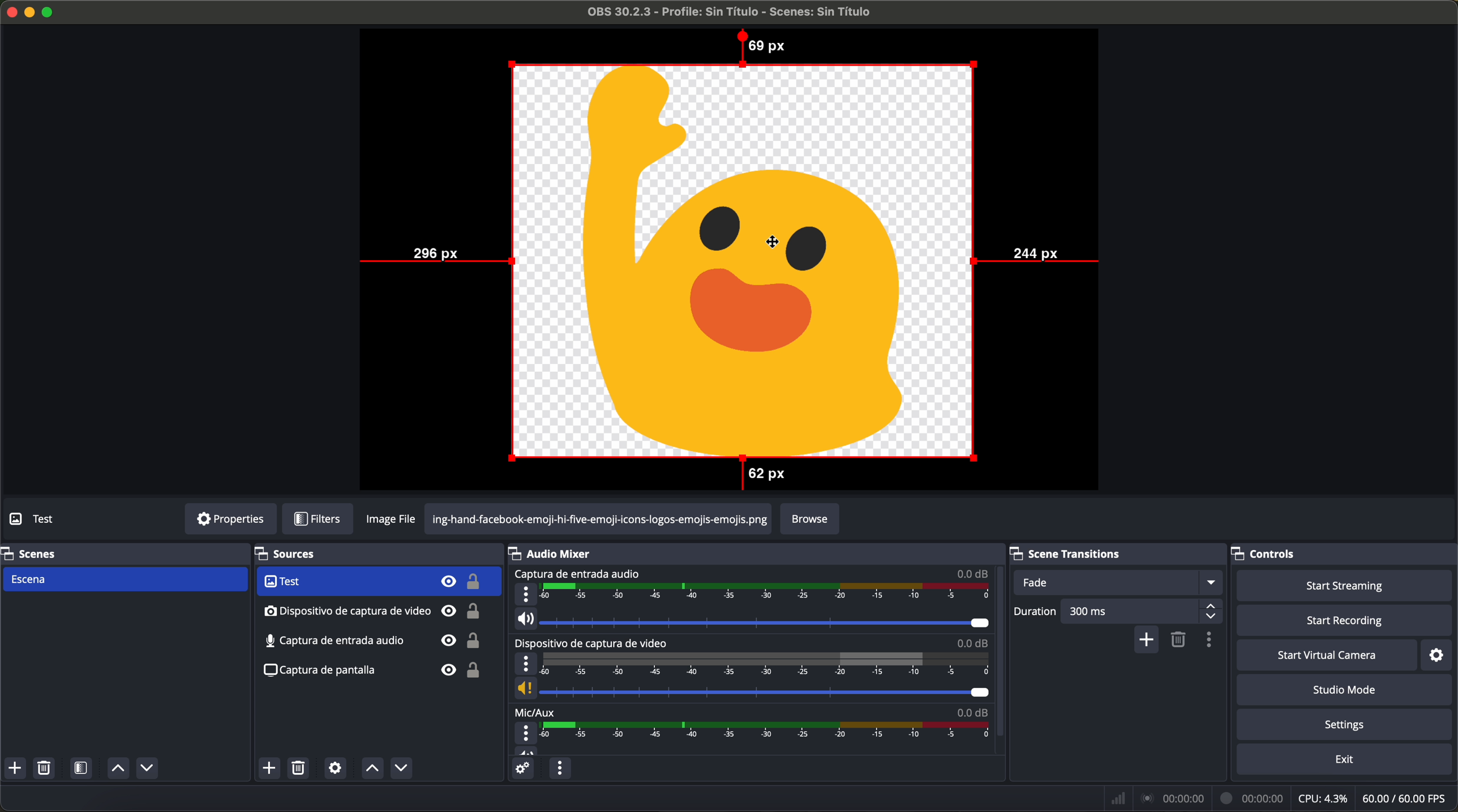 This screenshot has width=1458, height=812. Describe the element at coordinates (1079, 552) in the screenshot. I see `scene transitions` at that location.